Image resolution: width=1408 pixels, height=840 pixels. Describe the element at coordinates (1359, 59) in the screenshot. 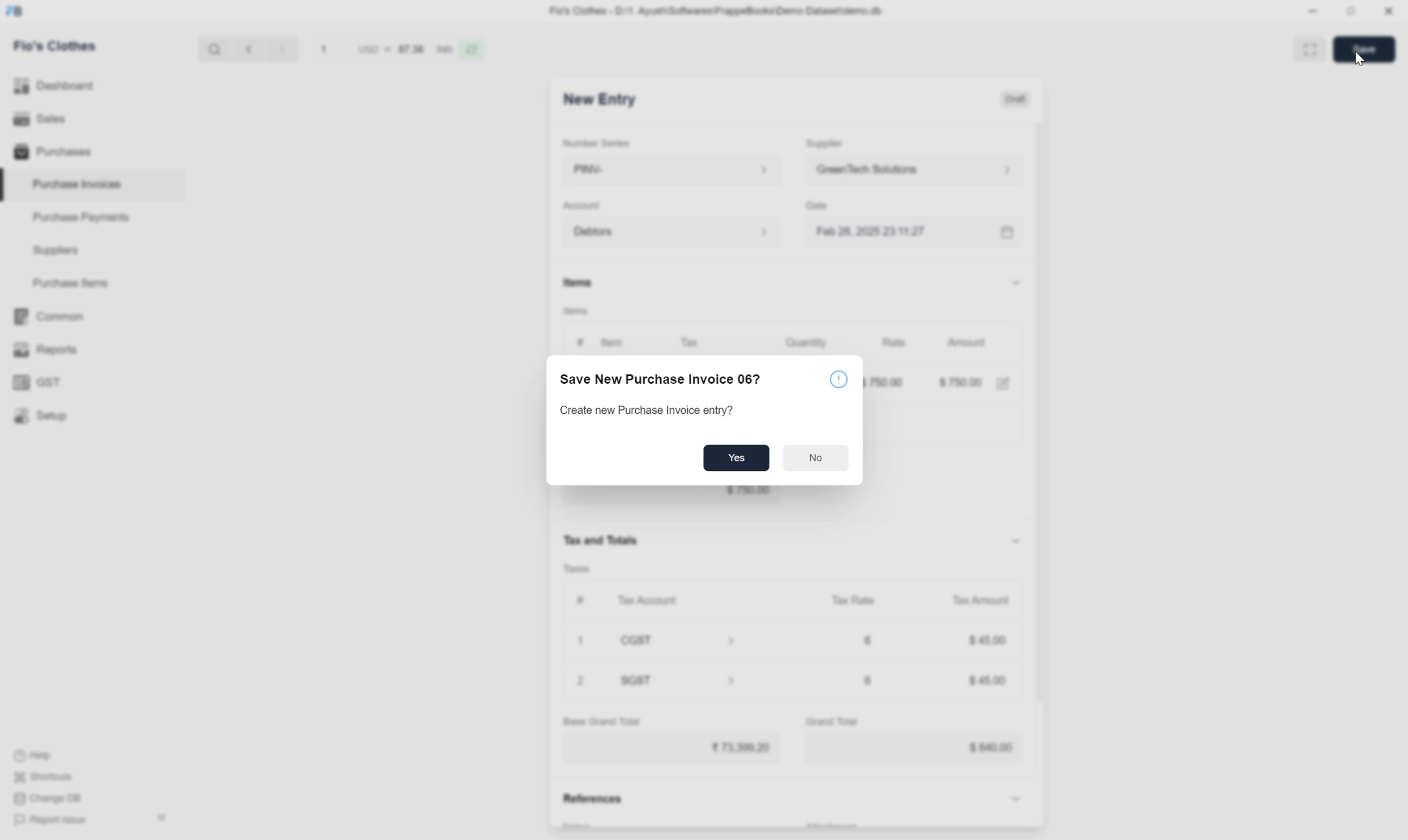

I see `Cursor` at that location.